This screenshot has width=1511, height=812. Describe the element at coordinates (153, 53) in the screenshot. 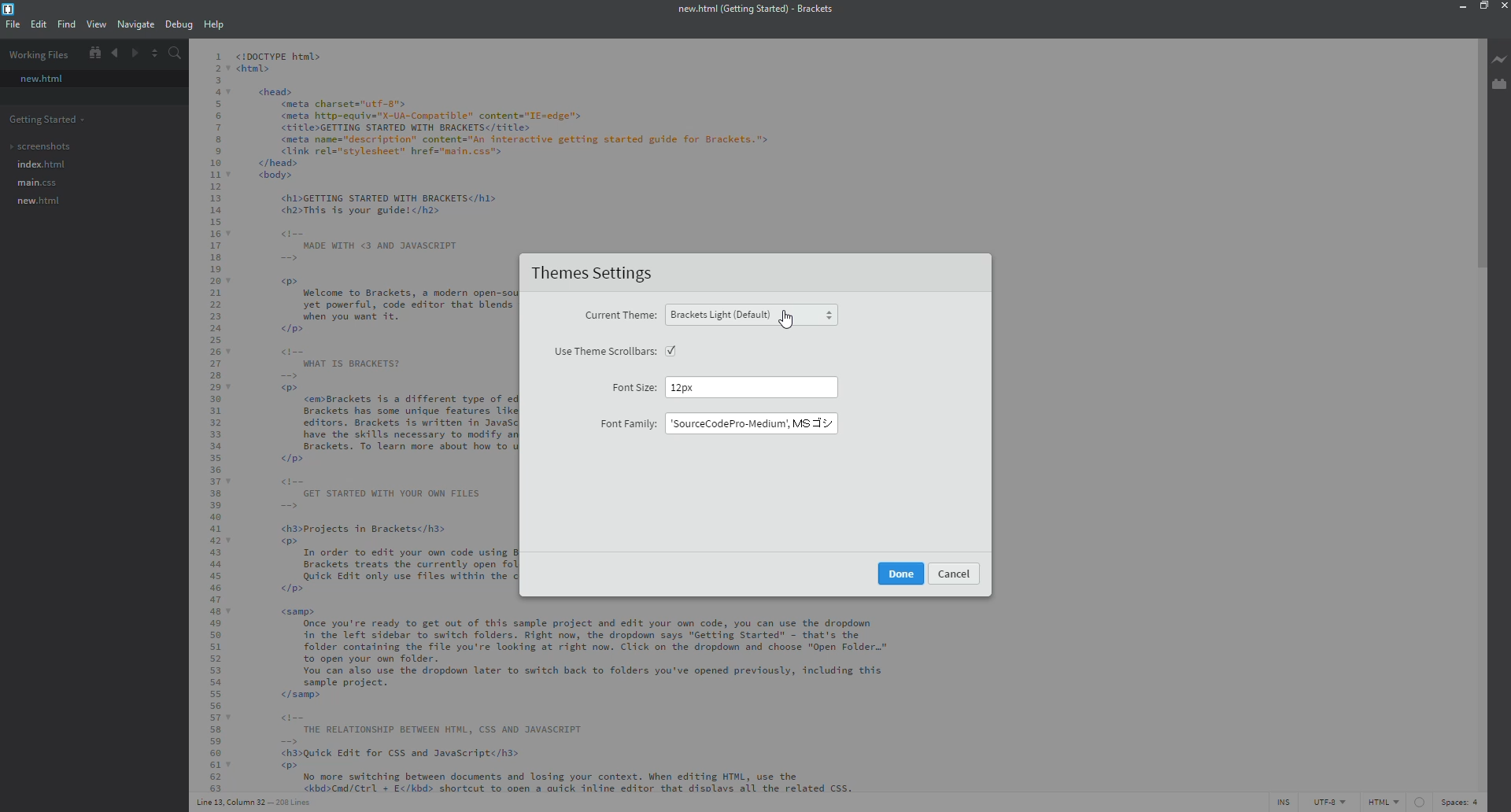

I see `split` at that location.